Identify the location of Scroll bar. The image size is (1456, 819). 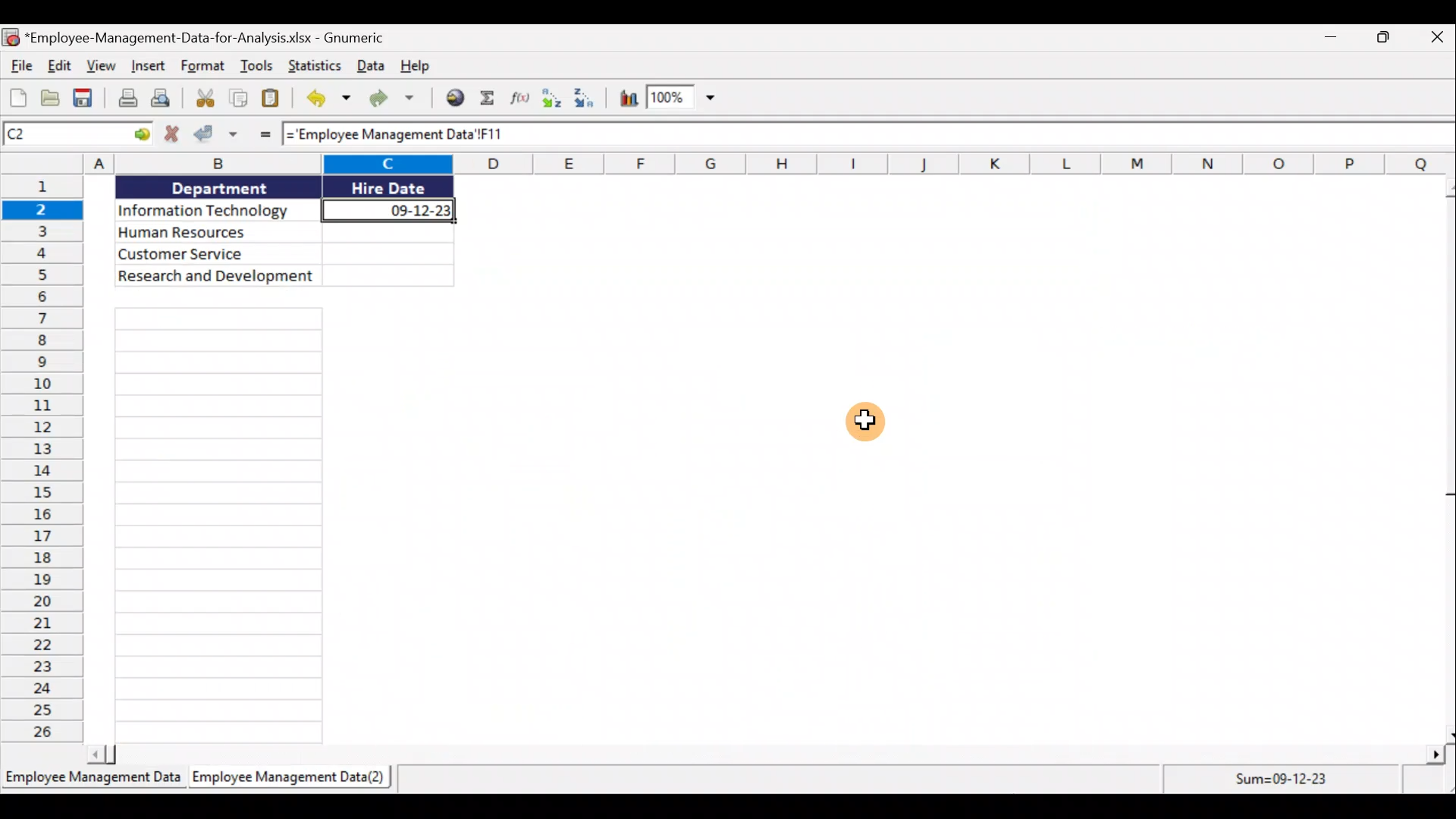
(1446, 459).